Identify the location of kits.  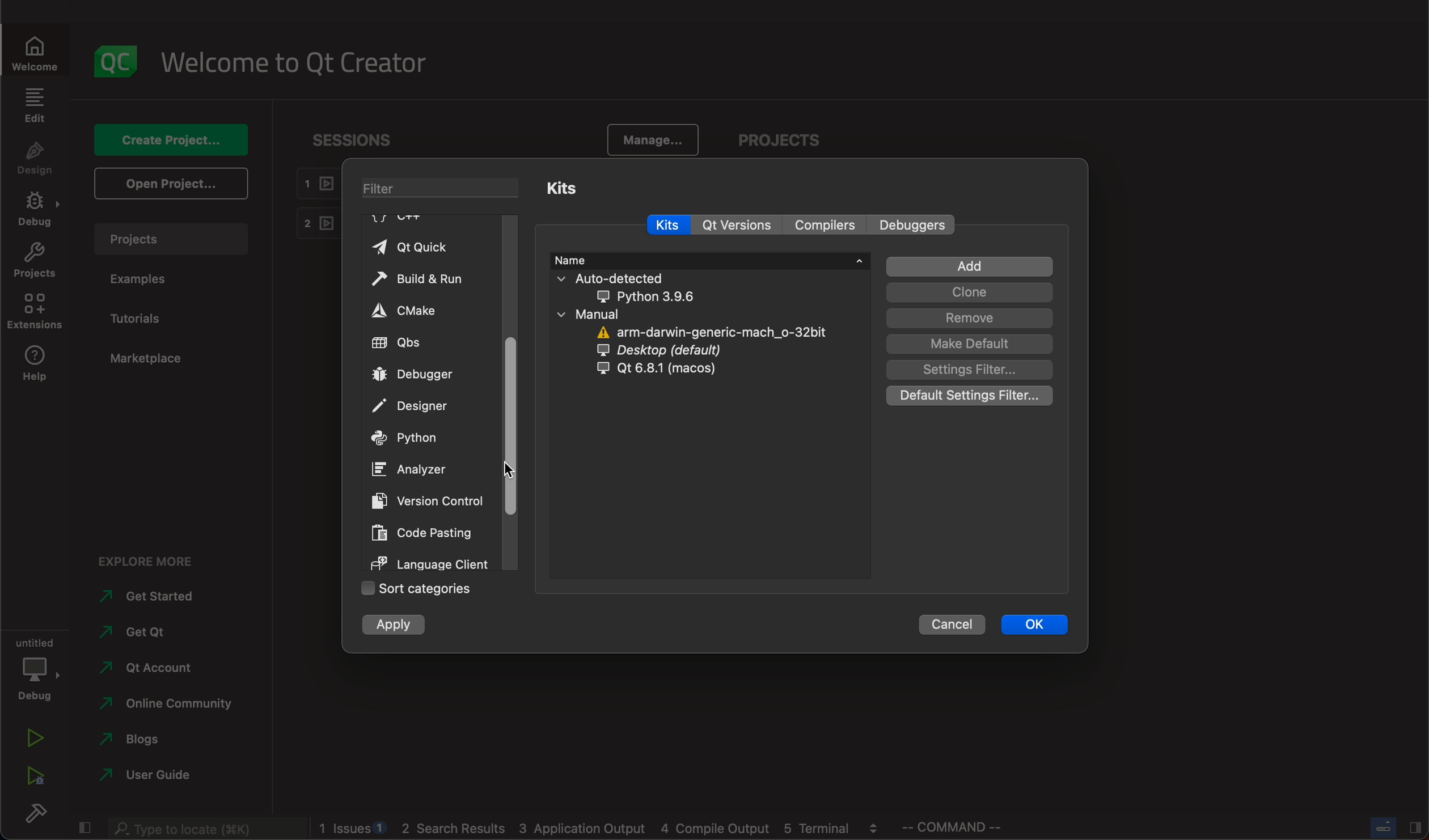
(566, 192).